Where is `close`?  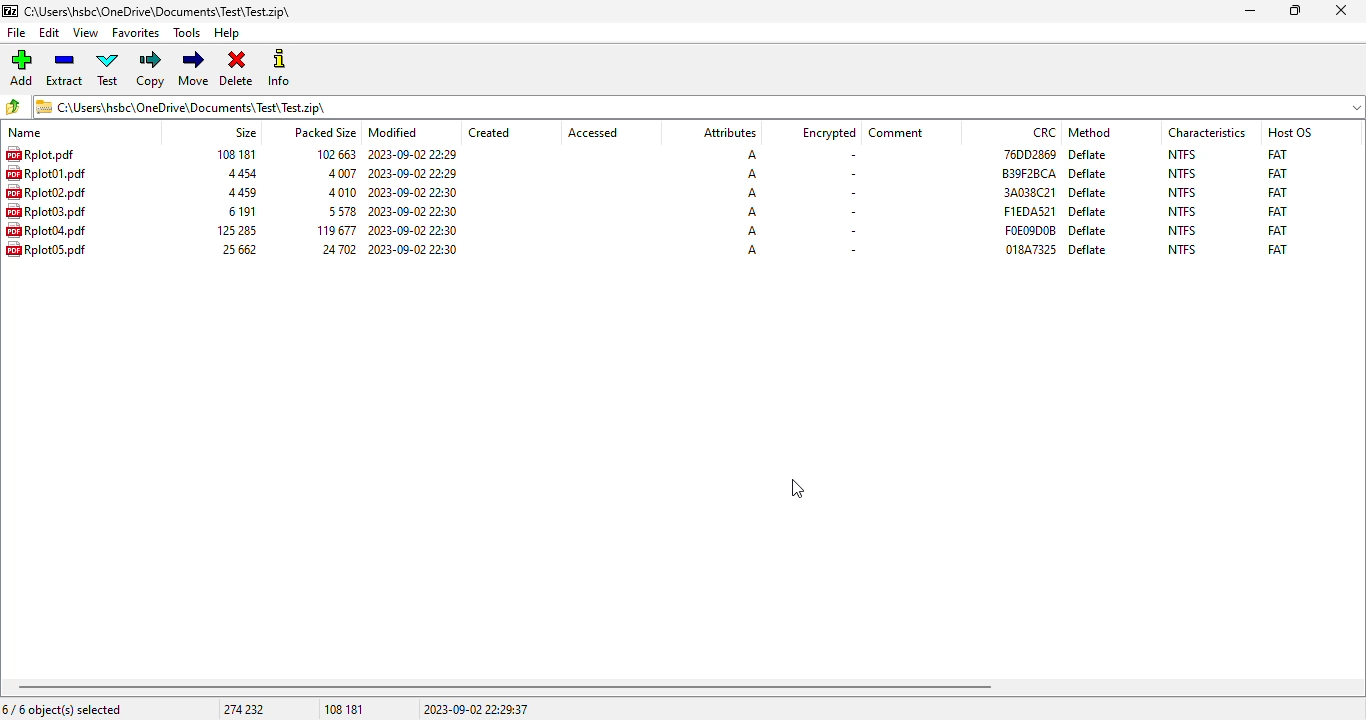
close is located at coordinates (1340, 10).